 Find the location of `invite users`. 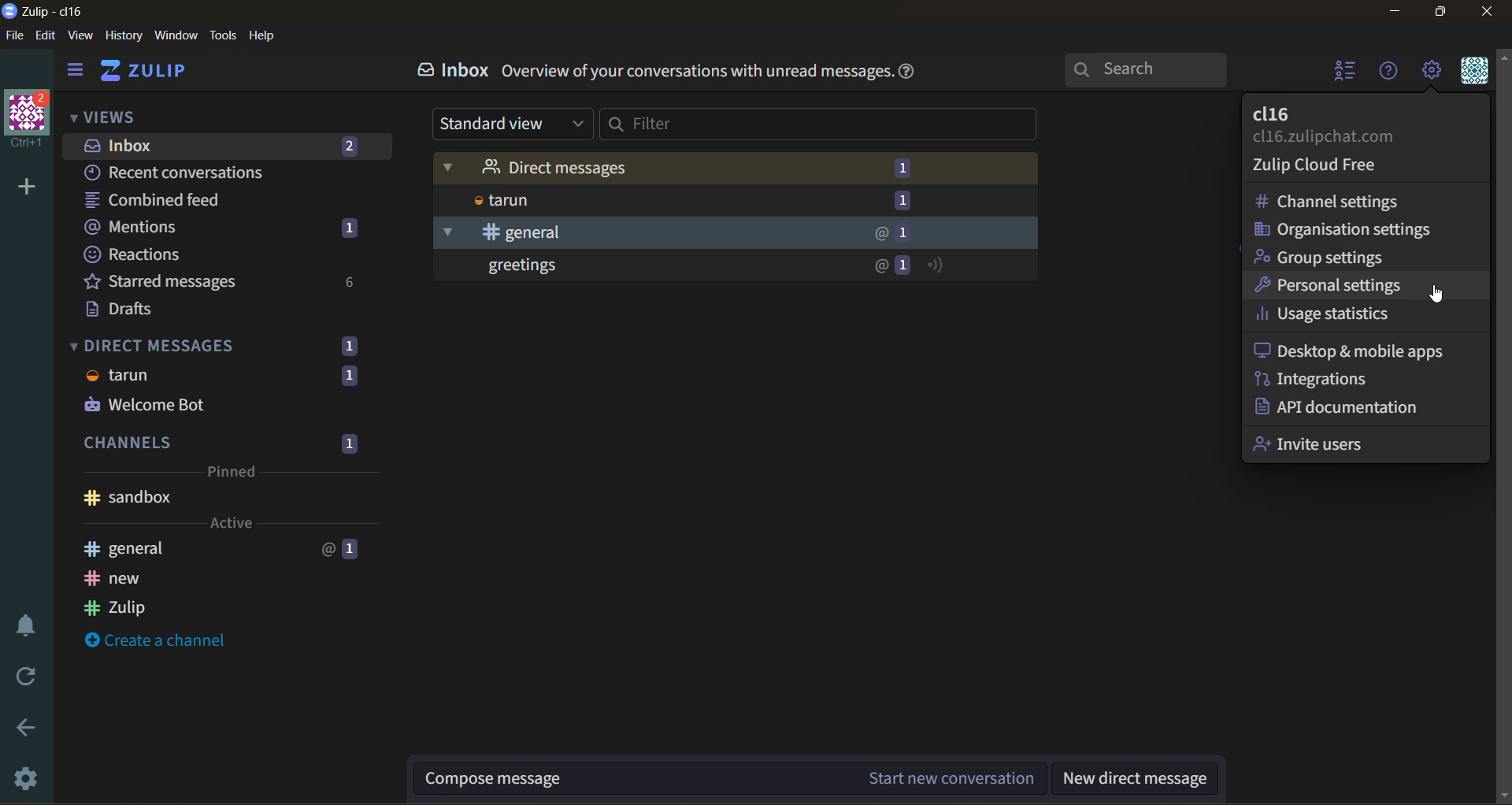

invite users is located at coordinates (1310, 448).